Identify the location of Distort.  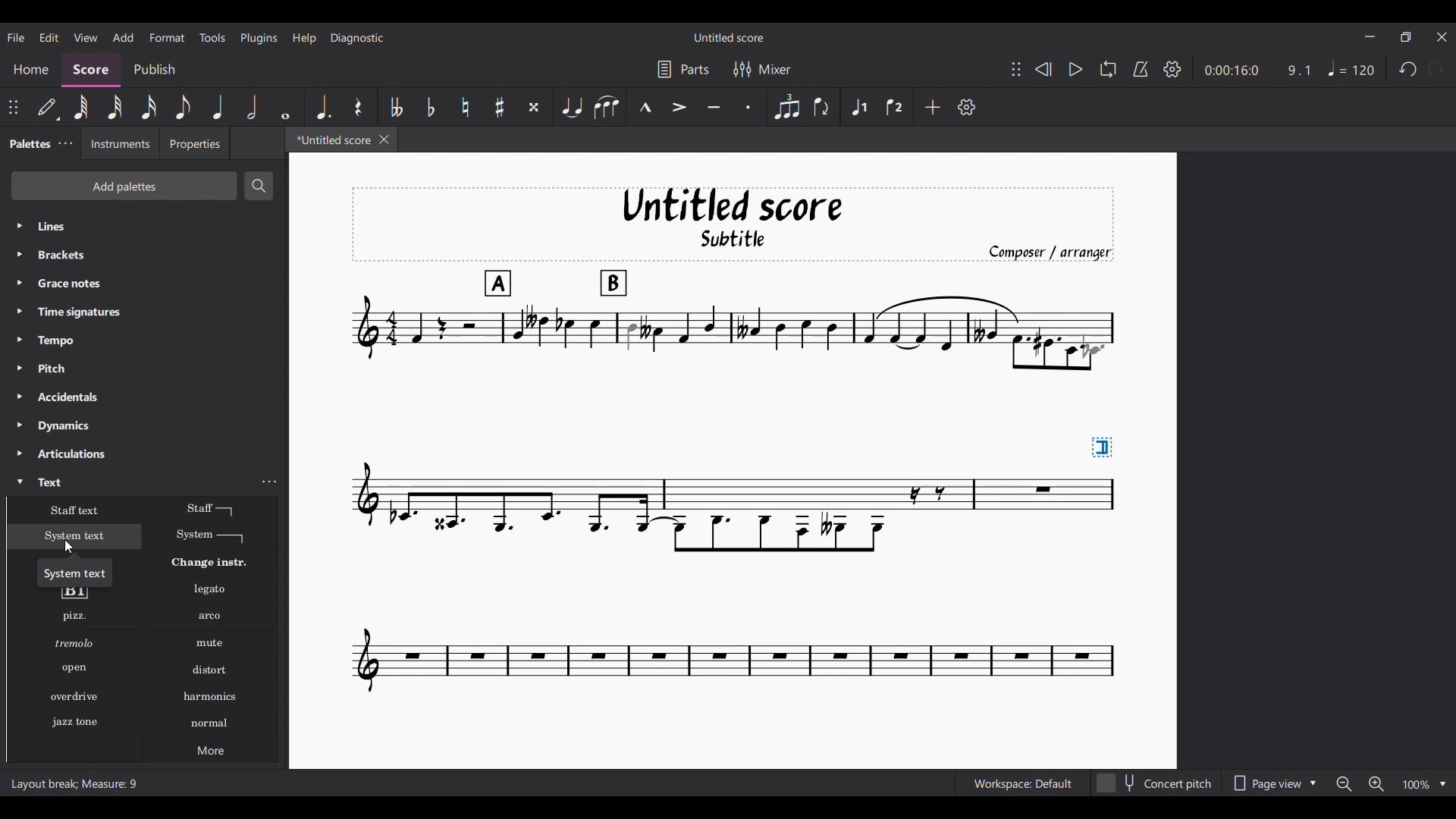
(210, 670).